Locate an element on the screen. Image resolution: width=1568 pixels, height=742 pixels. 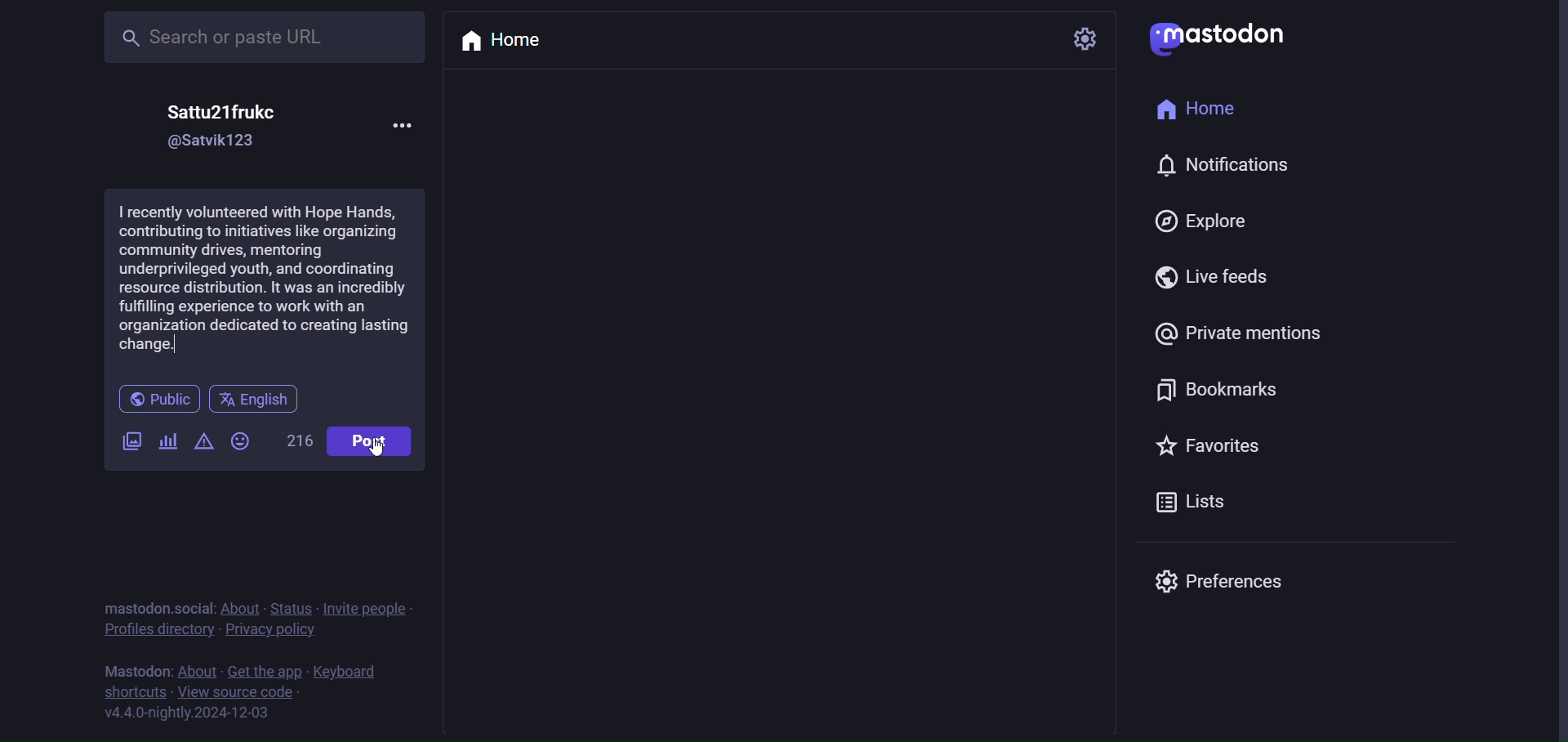
keyboard is located at coordinates (346, 671).